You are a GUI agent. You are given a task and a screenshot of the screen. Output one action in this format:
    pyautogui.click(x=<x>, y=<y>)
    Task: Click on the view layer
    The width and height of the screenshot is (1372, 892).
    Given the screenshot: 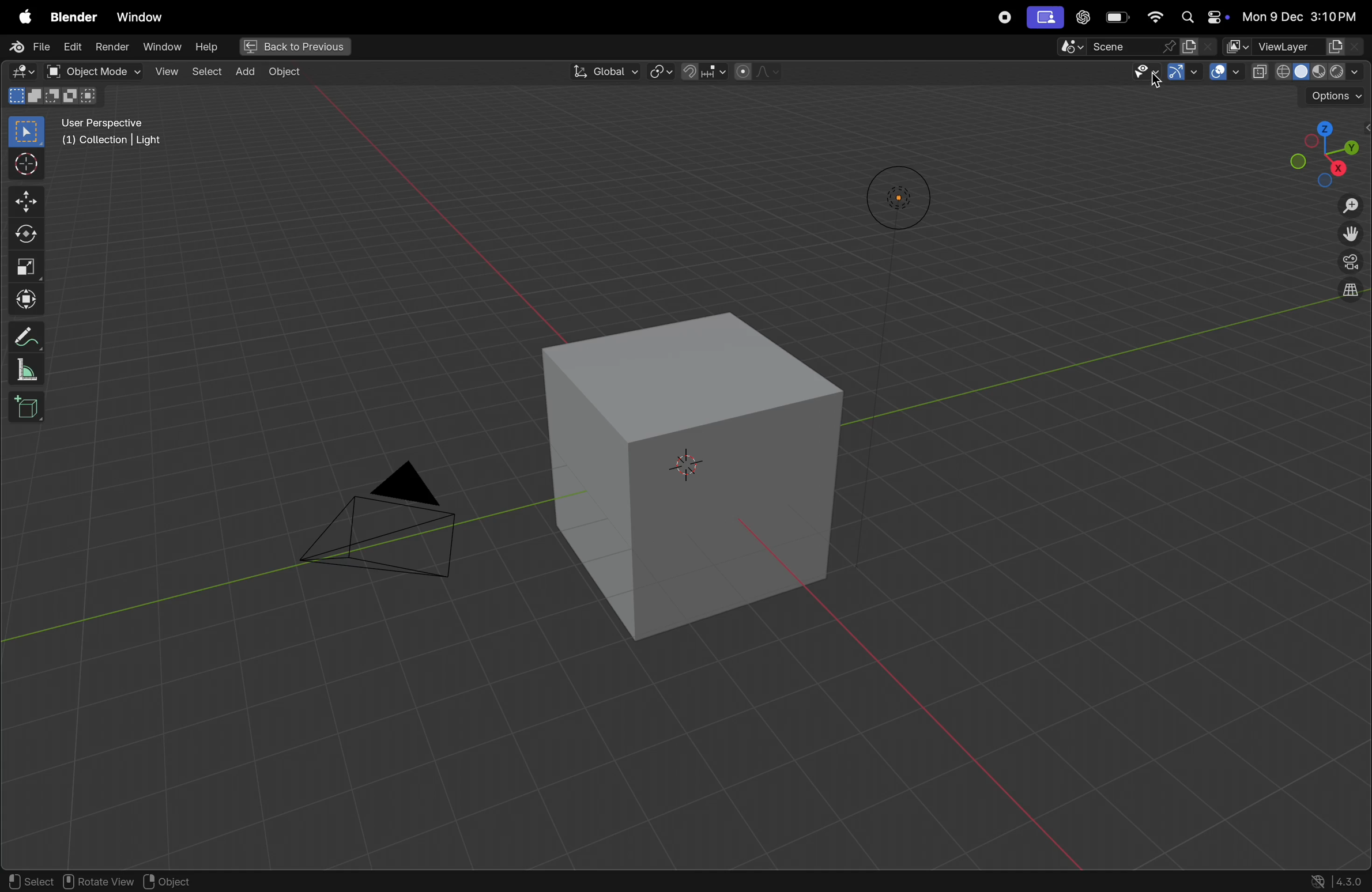 What is the action you would take?
    pyautogui.click(x=1295, y=47)
    